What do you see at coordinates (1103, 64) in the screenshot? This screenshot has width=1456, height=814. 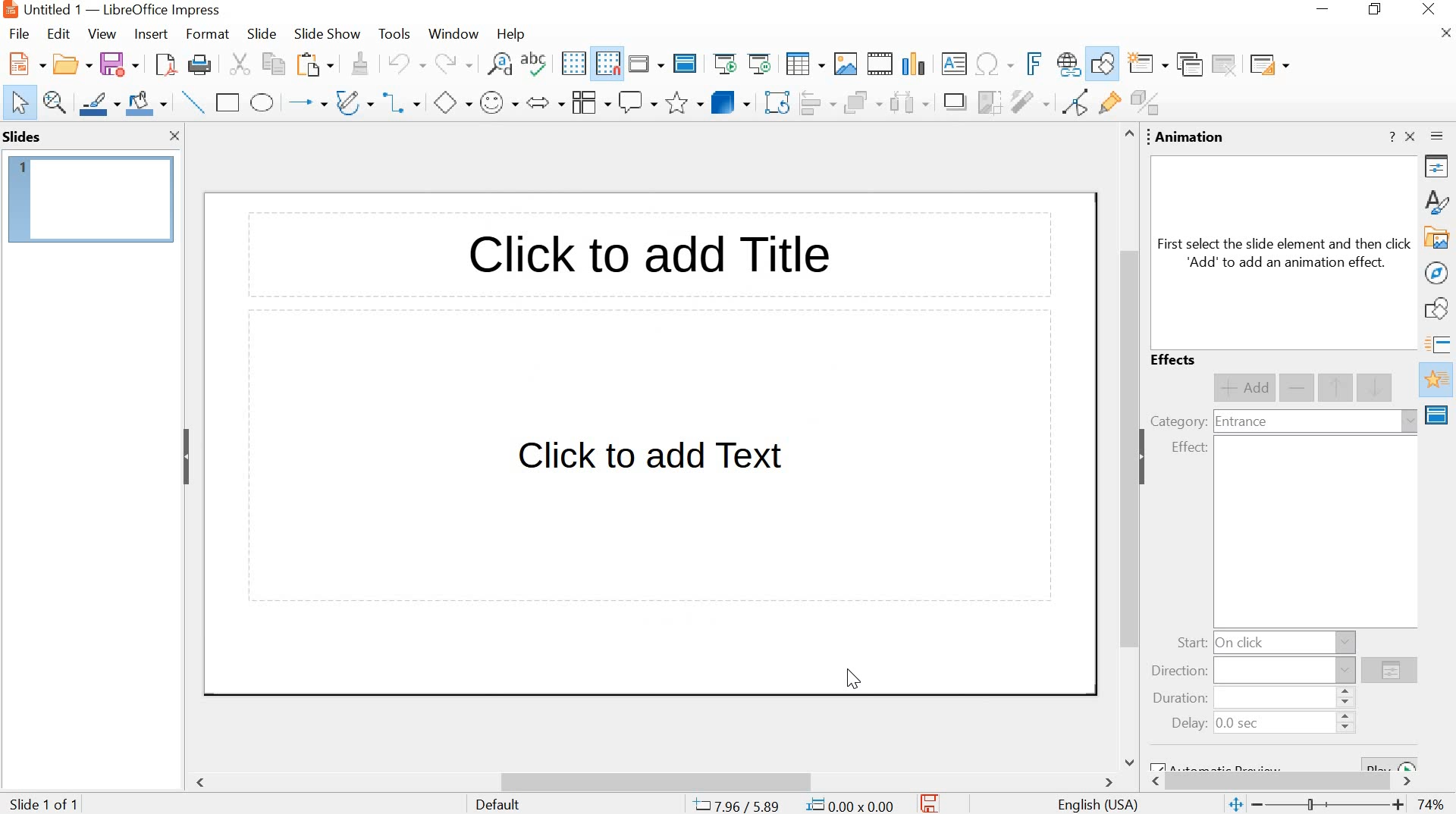 I see `show draw functions` at bounding box center [1103, 64].